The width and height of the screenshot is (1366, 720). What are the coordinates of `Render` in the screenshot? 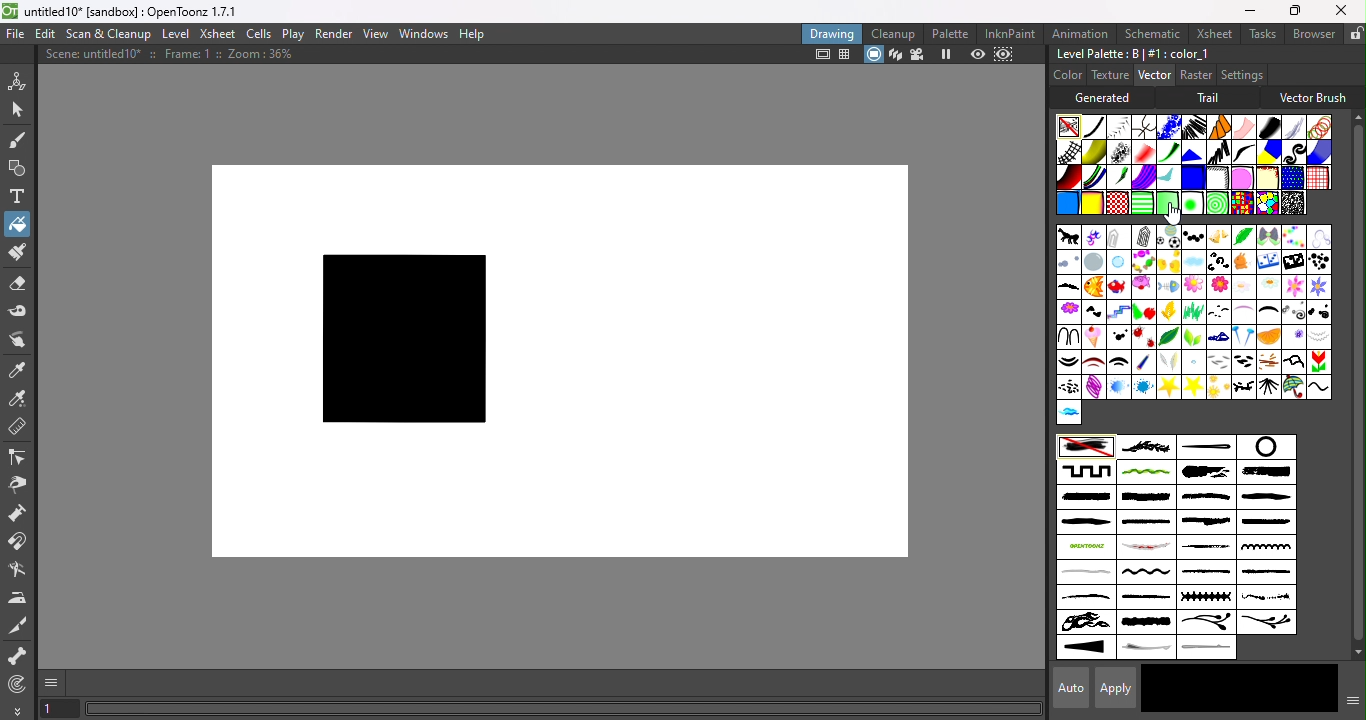 It's located at (335, 33).